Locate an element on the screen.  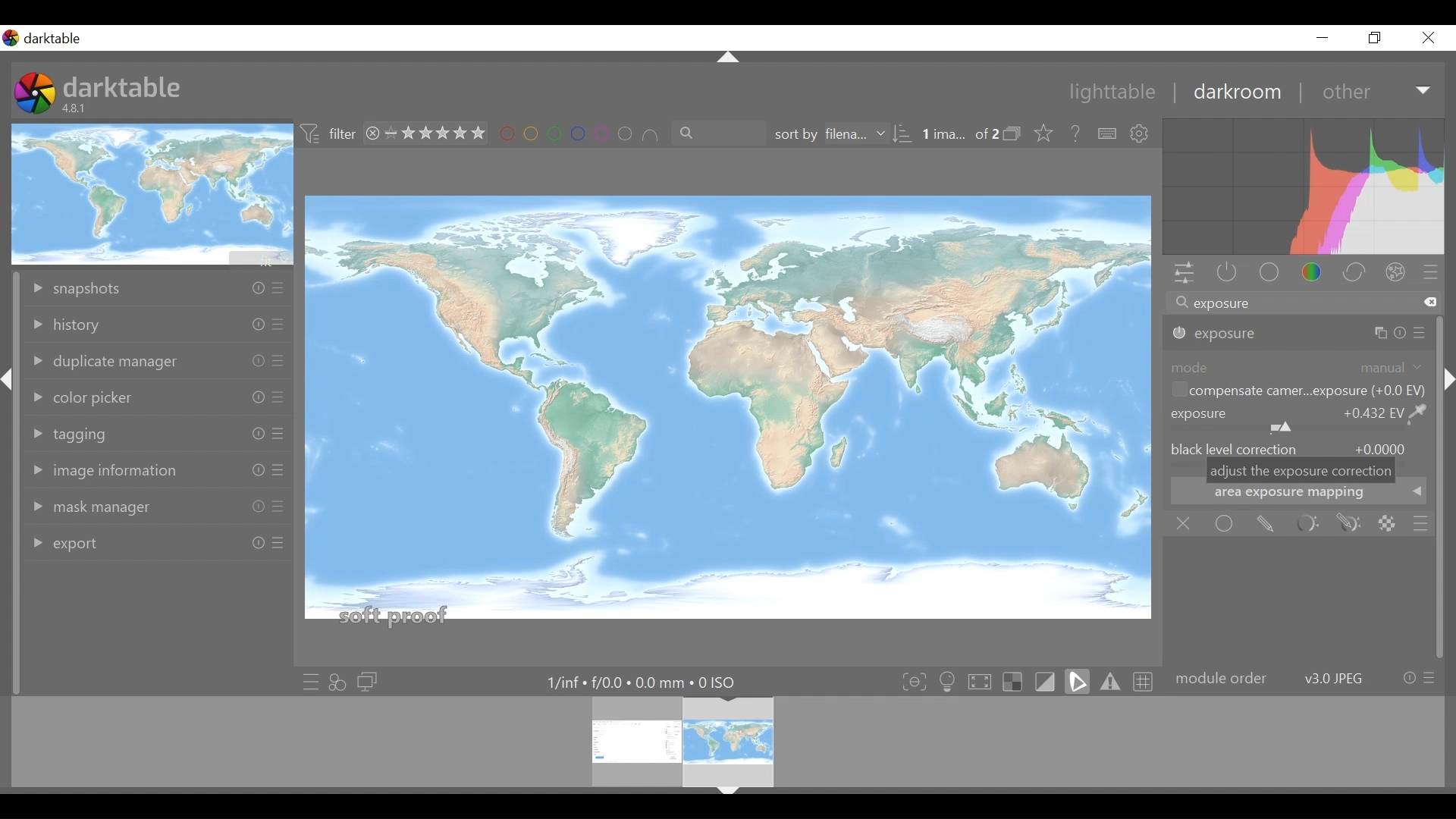
automatically remove the camera bias is located at coordinates (1296, 392).